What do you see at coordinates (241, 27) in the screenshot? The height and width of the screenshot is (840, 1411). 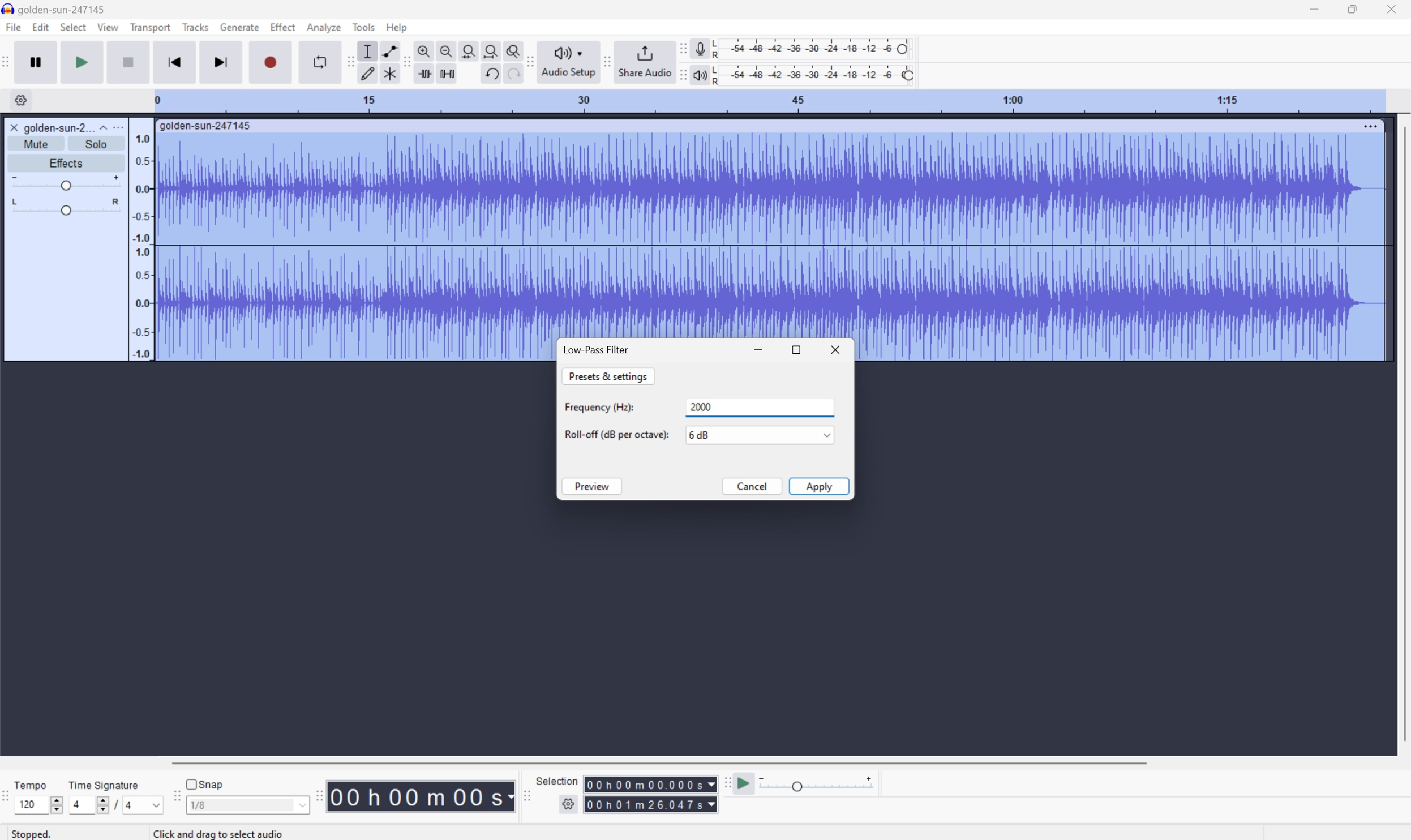 I see `Generate` at bounding box center [241, 27].